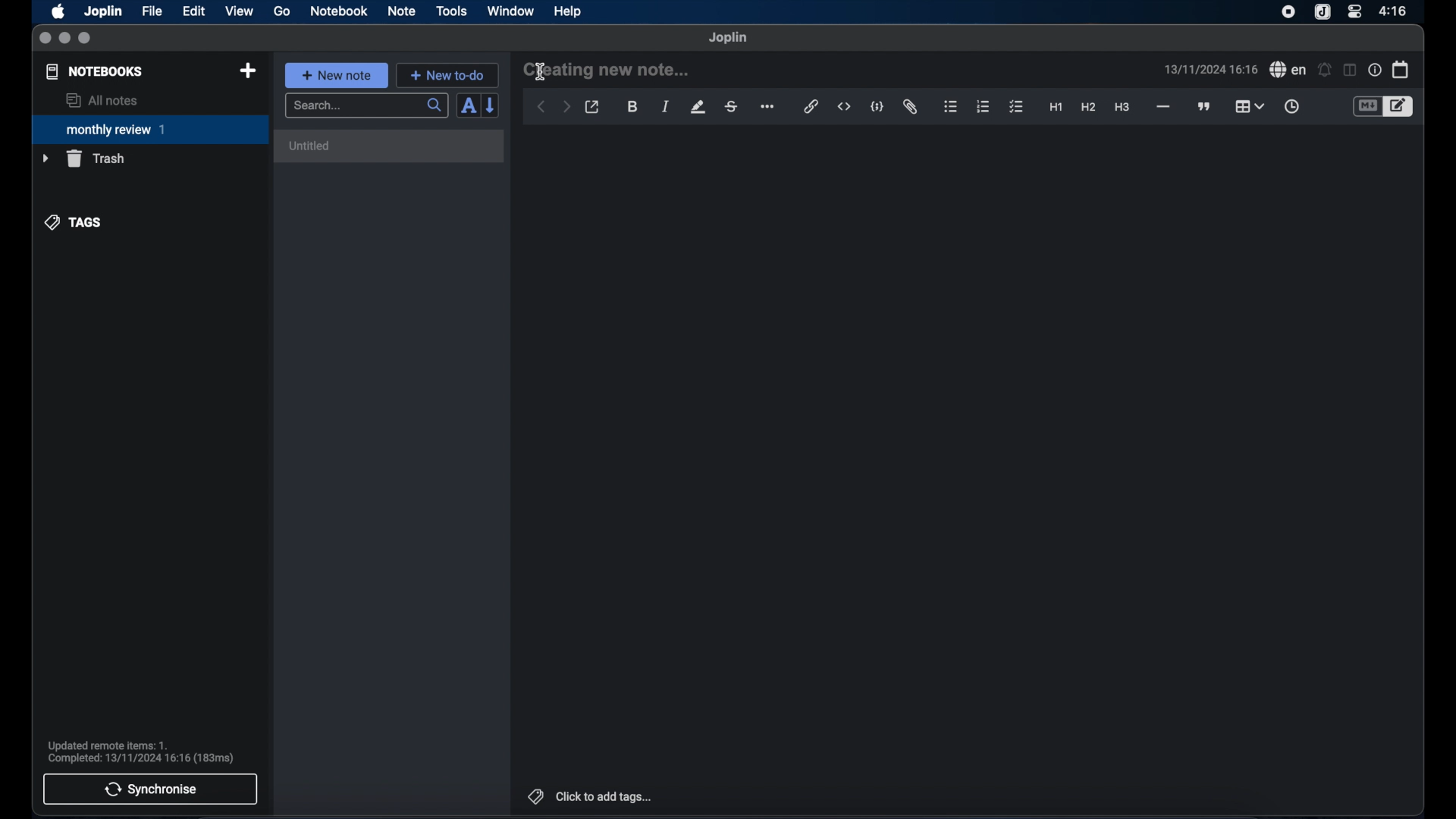 This screenshot has height=819, width=1456. What do you see at coordinates (1351, 70) in the screenshot?
I see `toggle editor layout` at bounding box center [1351, 70].